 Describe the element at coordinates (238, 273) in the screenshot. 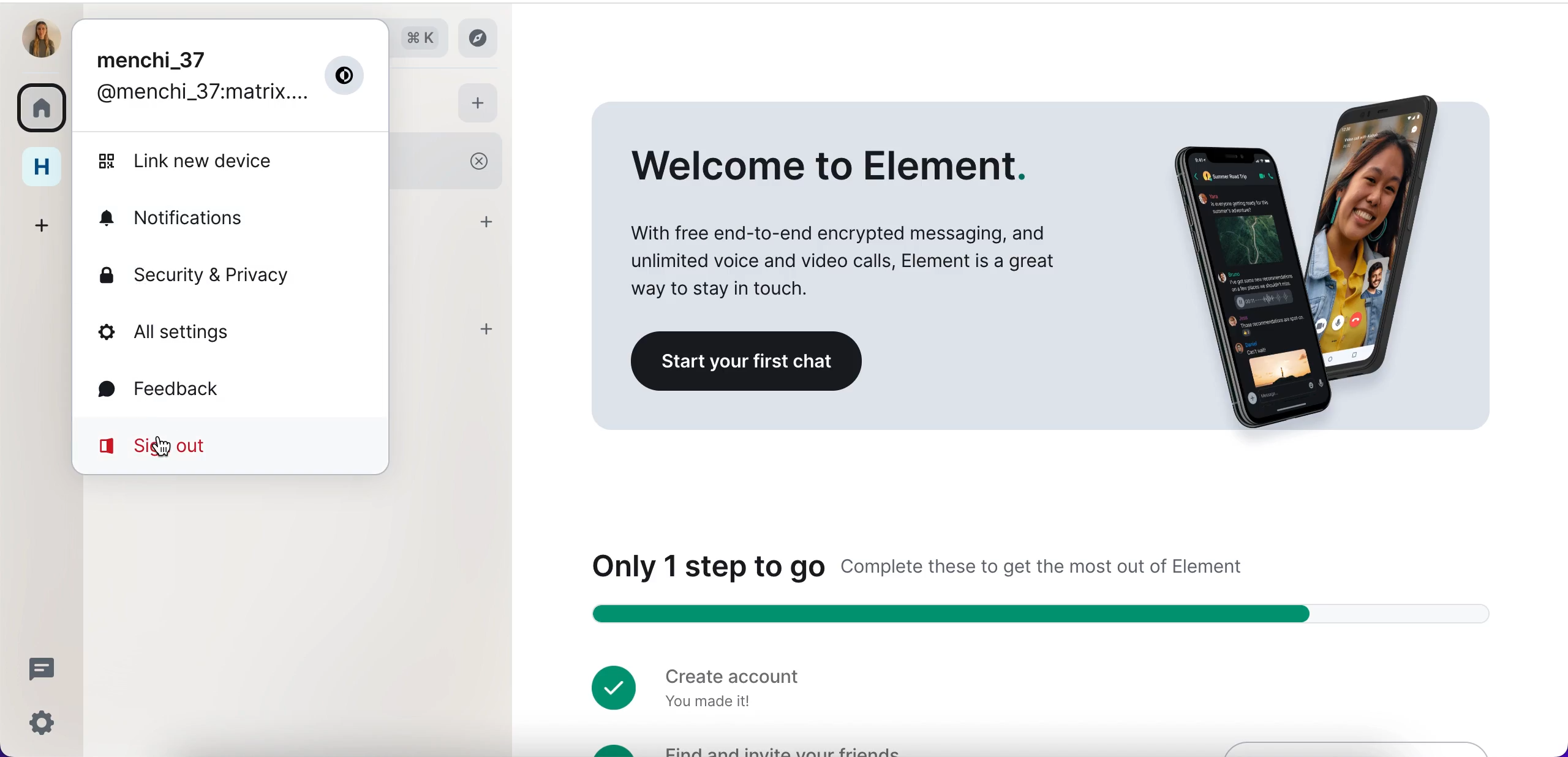

I see `security and privacy` at that location.